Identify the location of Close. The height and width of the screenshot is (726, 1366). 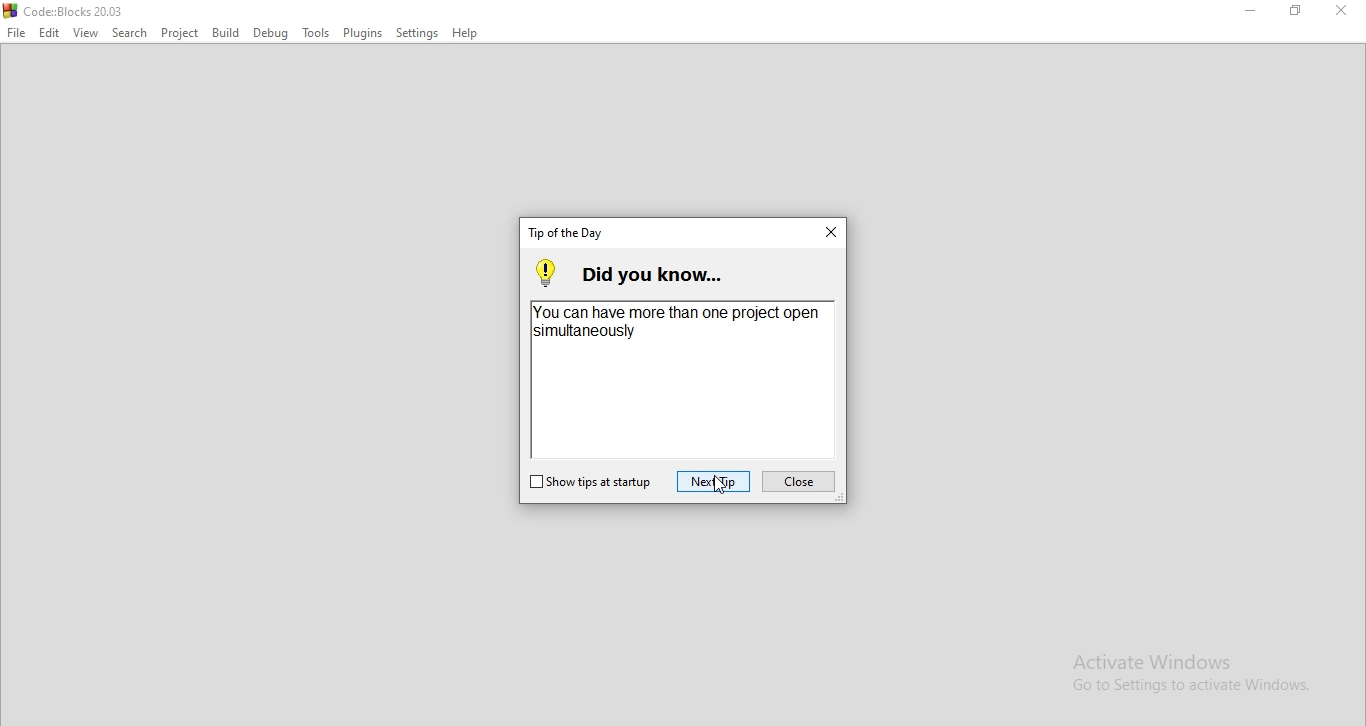
(1337, 11).